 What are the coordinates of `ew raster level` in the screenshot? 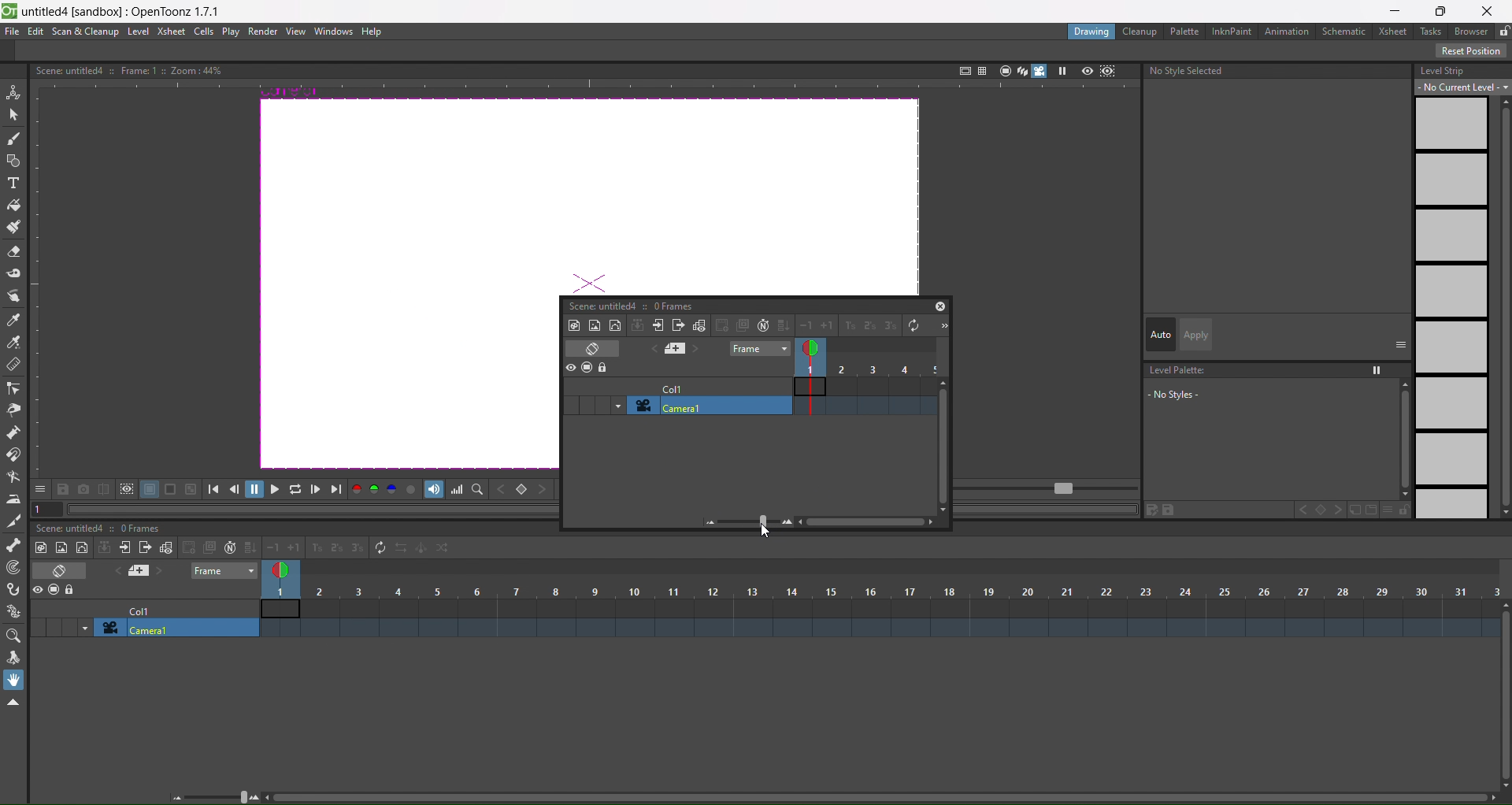 It's located at (60, 548).